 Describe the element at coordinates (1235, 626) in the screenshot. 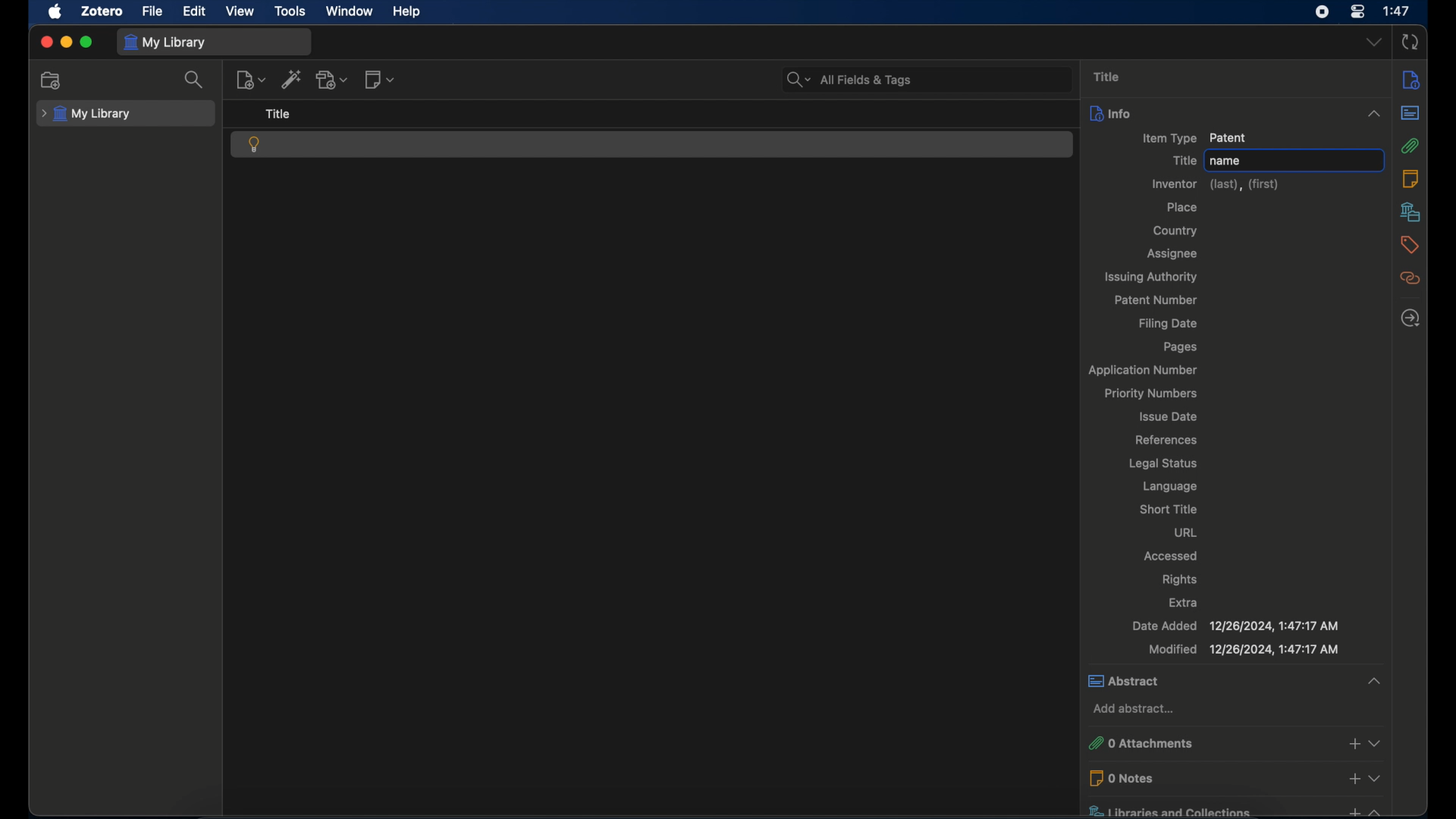

I see `date added 12/26/2024, 1:47:17 AM` at that location.